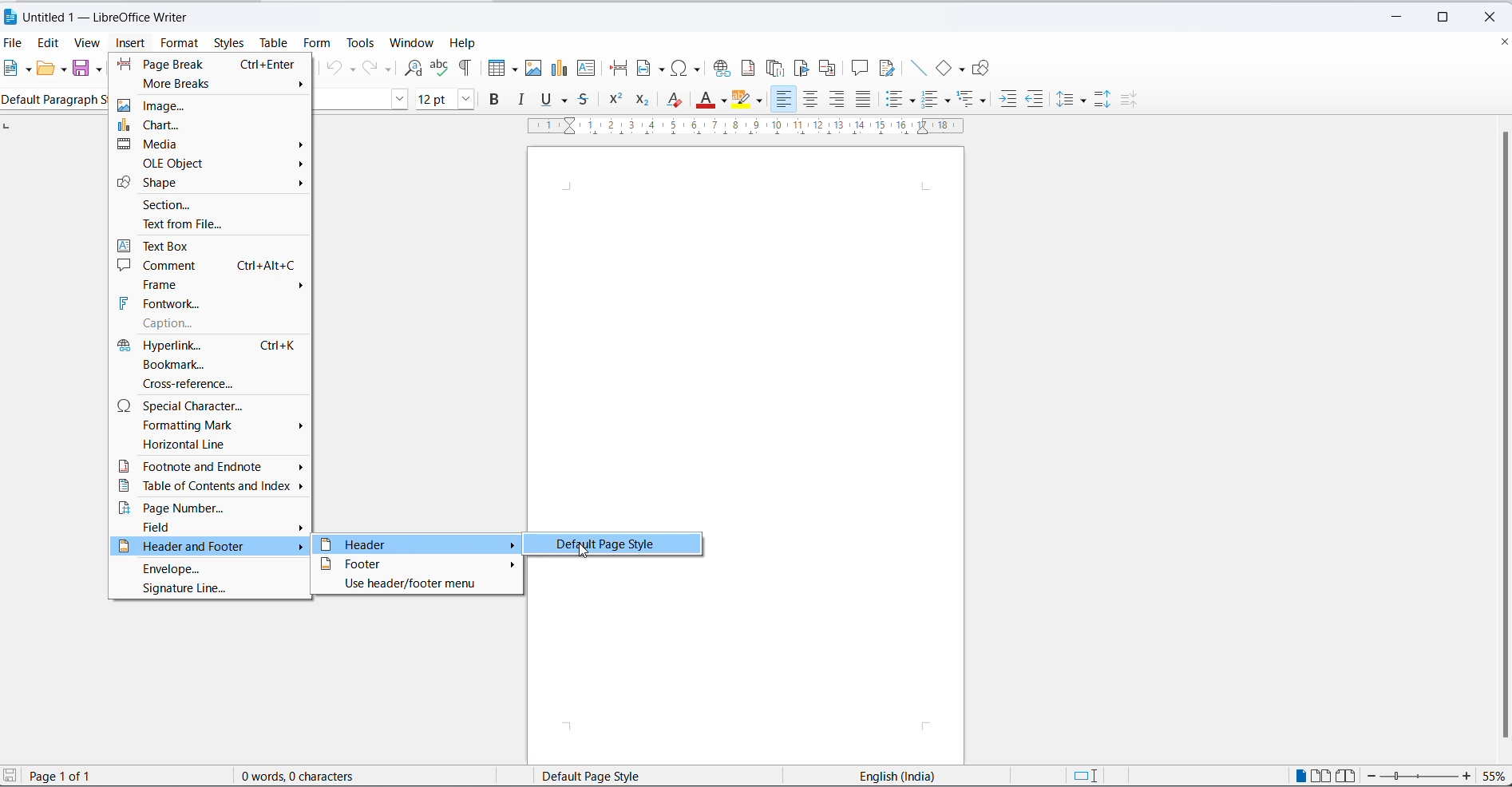 Image resolution: width=1512 pixels, height=787 pixels. I want to click on underline, so click(566, 101).